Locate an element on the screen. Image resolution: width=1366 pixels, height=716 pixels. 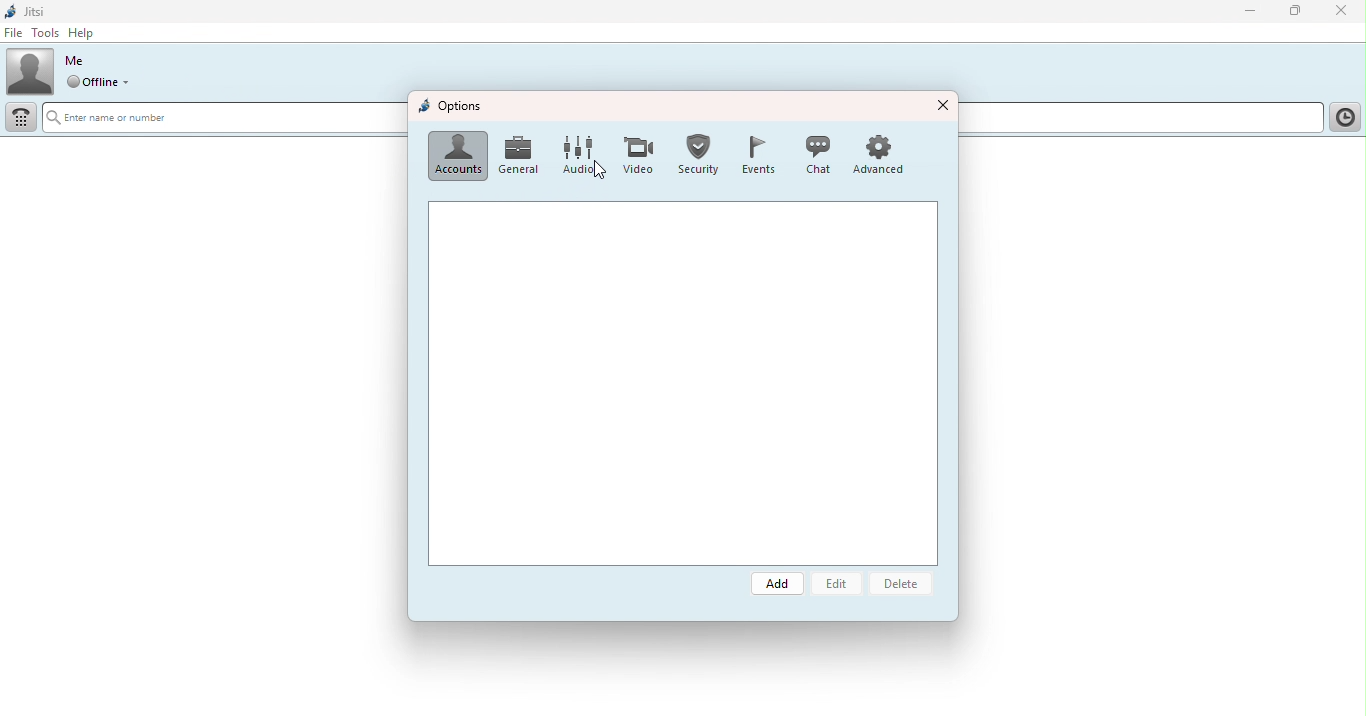
Close is located at coordinates (1340, 12).